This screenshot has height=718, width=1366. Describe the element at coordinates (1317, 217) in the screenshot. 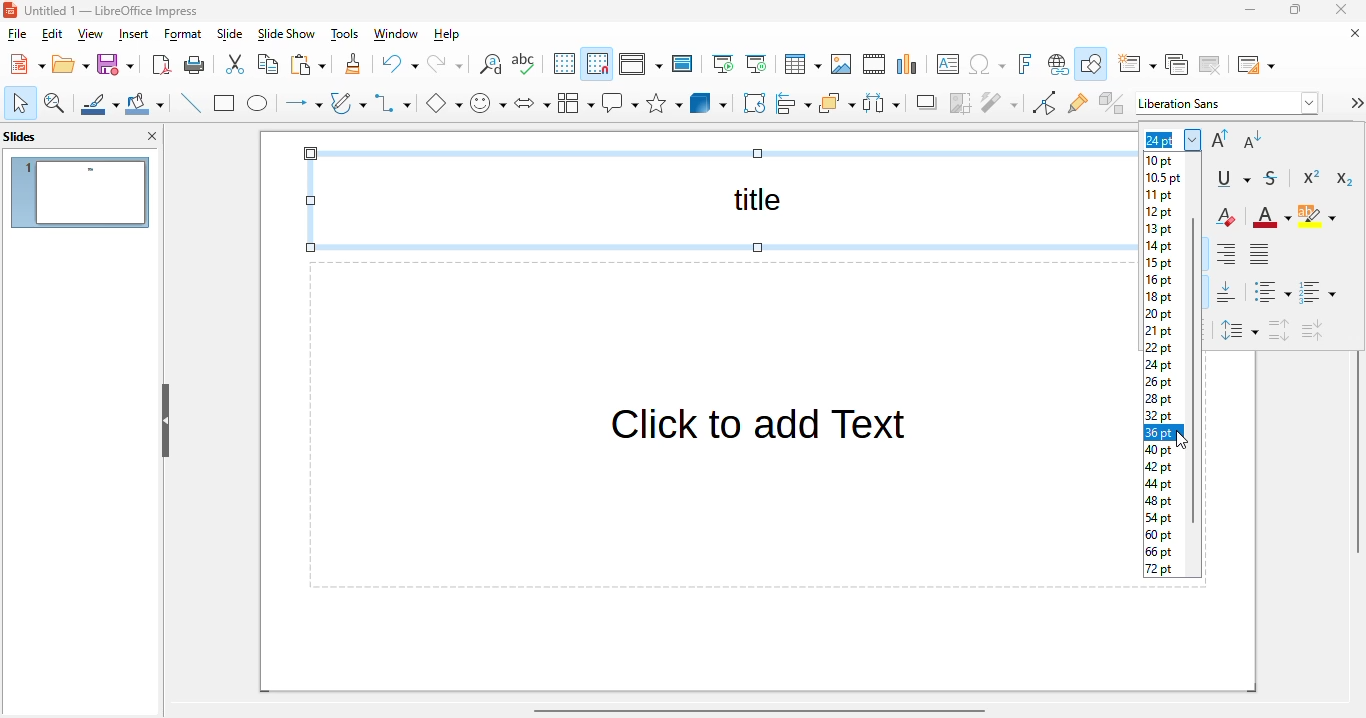

I see `character highlighting color` at that location.